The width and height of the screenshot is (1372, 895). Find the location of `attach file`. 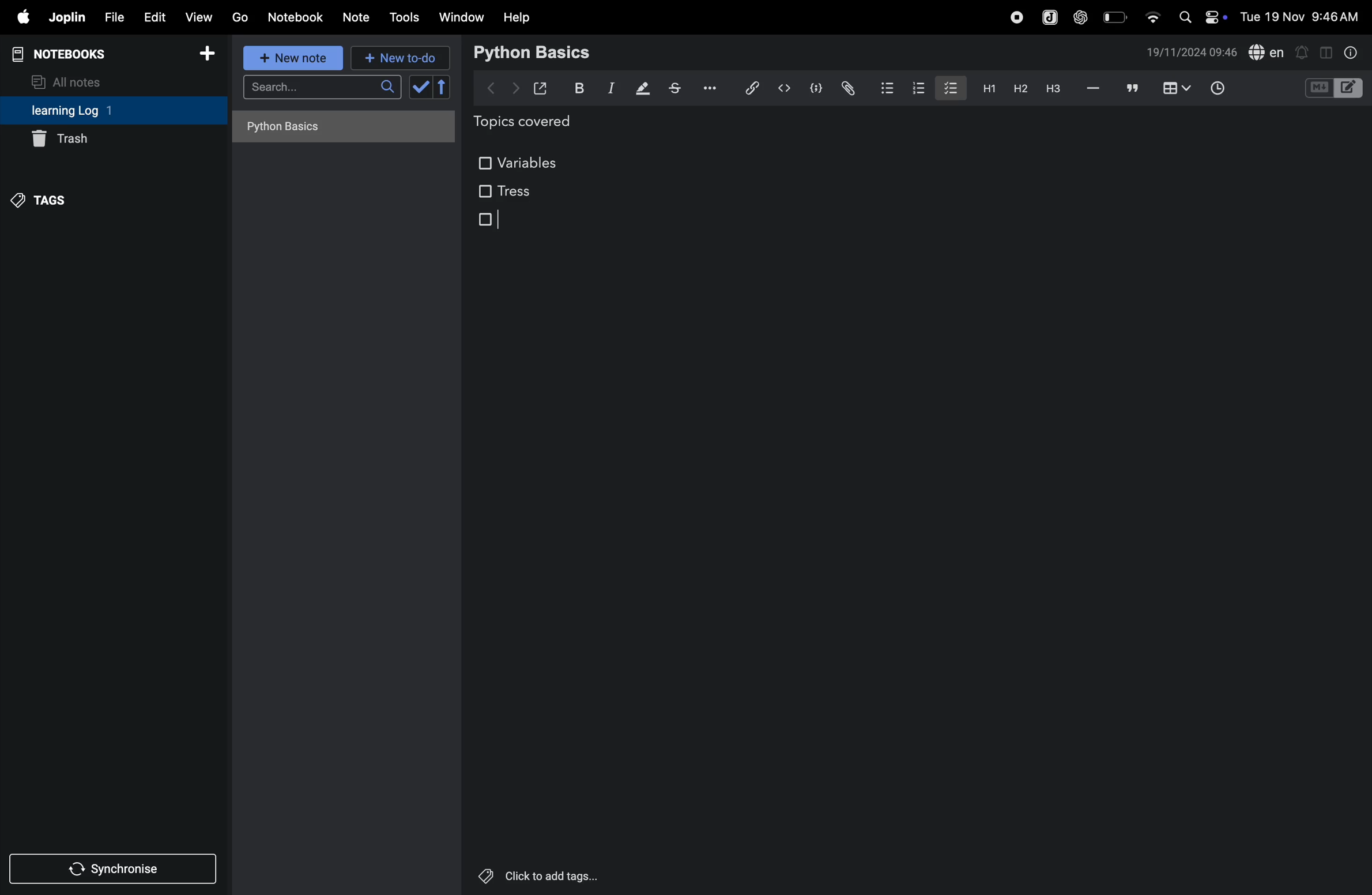

attach file is located at coordinates (847, 88).